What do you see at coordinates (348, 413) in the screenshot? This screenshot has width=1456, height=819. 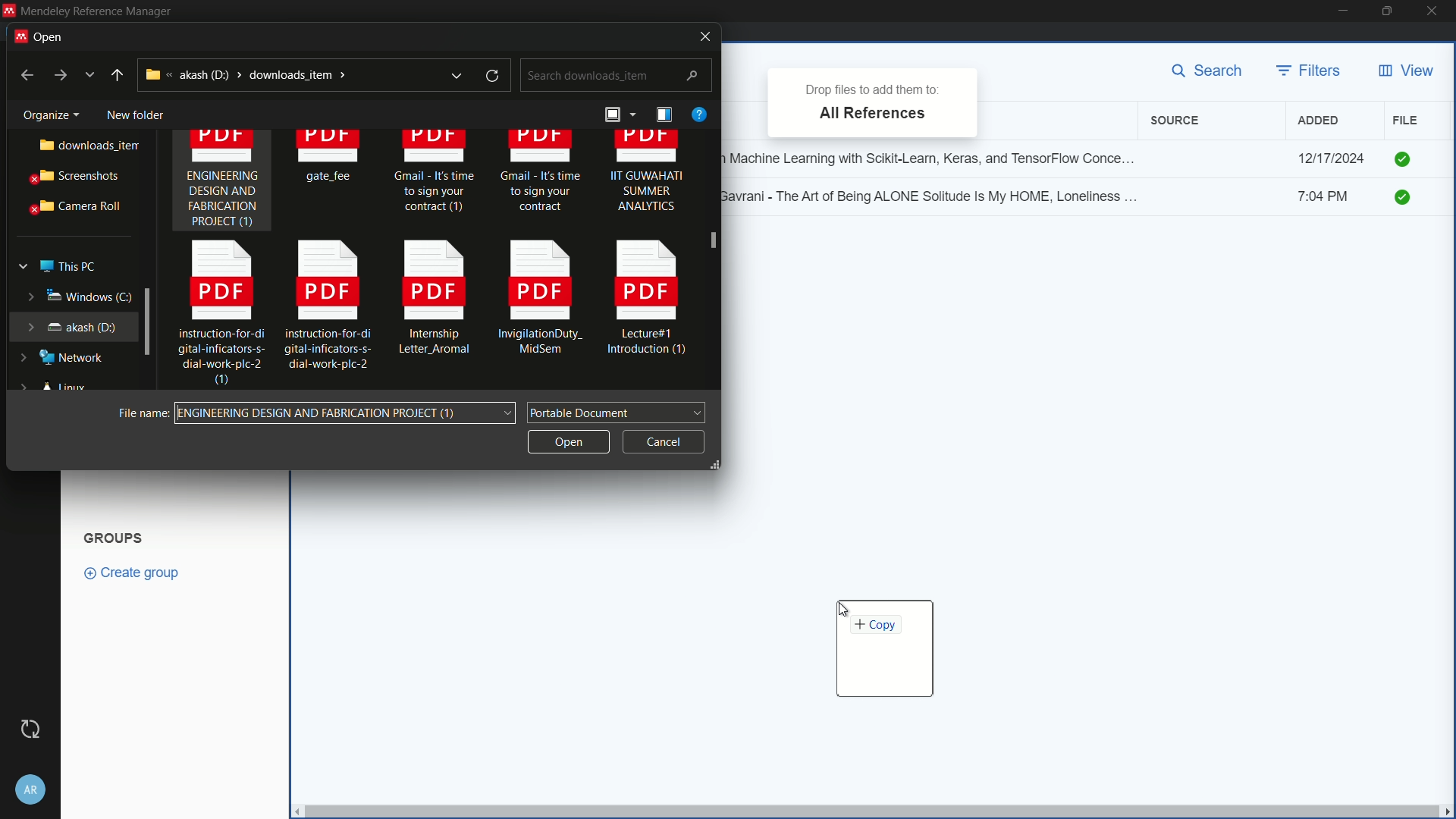 I see `file name: ENGINEERING DESIGN AND FABRICATION PROJECT (1)` at bounding box center [348, 413].